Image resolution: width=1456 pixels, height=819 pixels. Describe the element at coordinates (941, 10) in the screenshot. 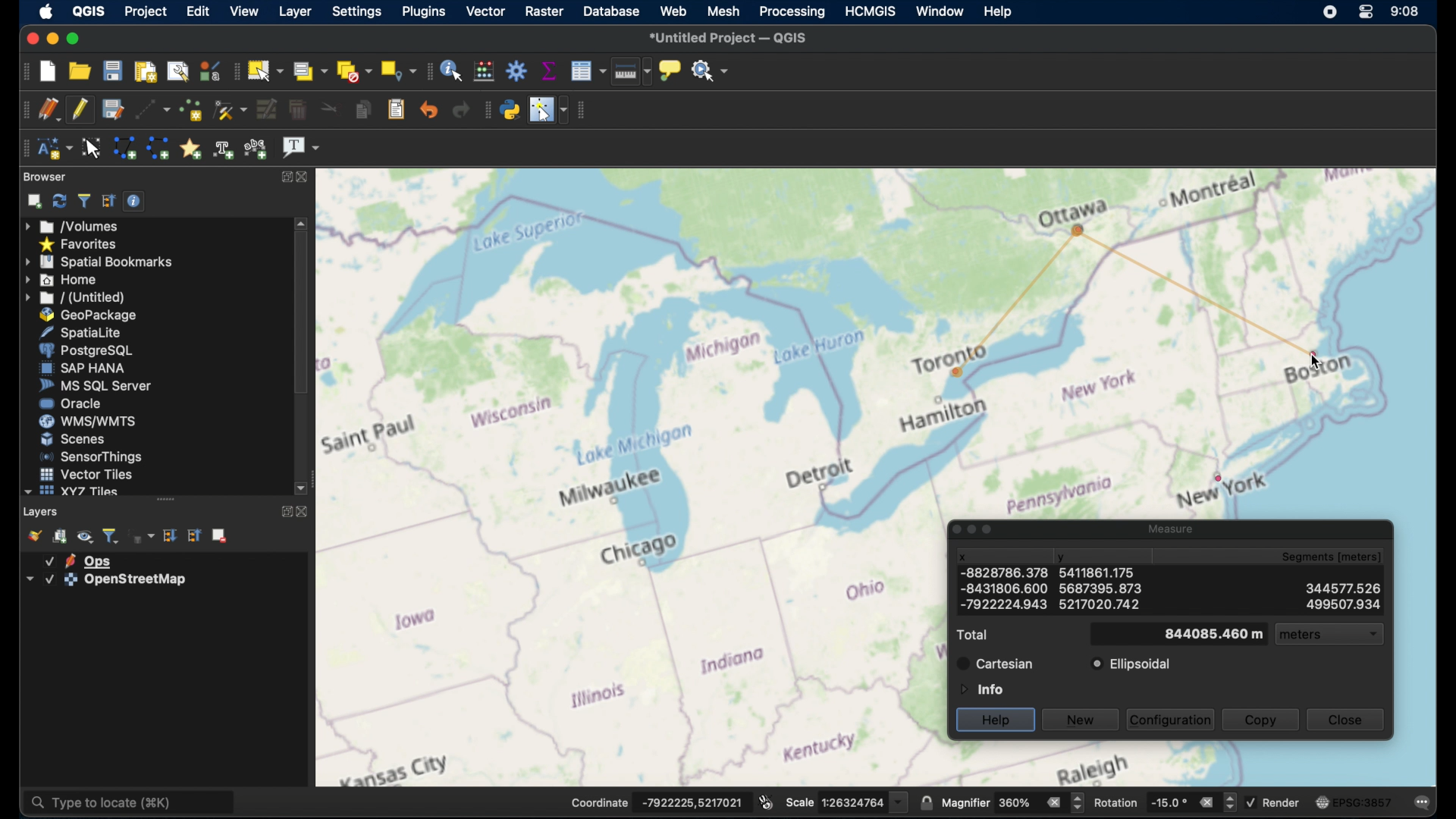

I see `window` at that location.